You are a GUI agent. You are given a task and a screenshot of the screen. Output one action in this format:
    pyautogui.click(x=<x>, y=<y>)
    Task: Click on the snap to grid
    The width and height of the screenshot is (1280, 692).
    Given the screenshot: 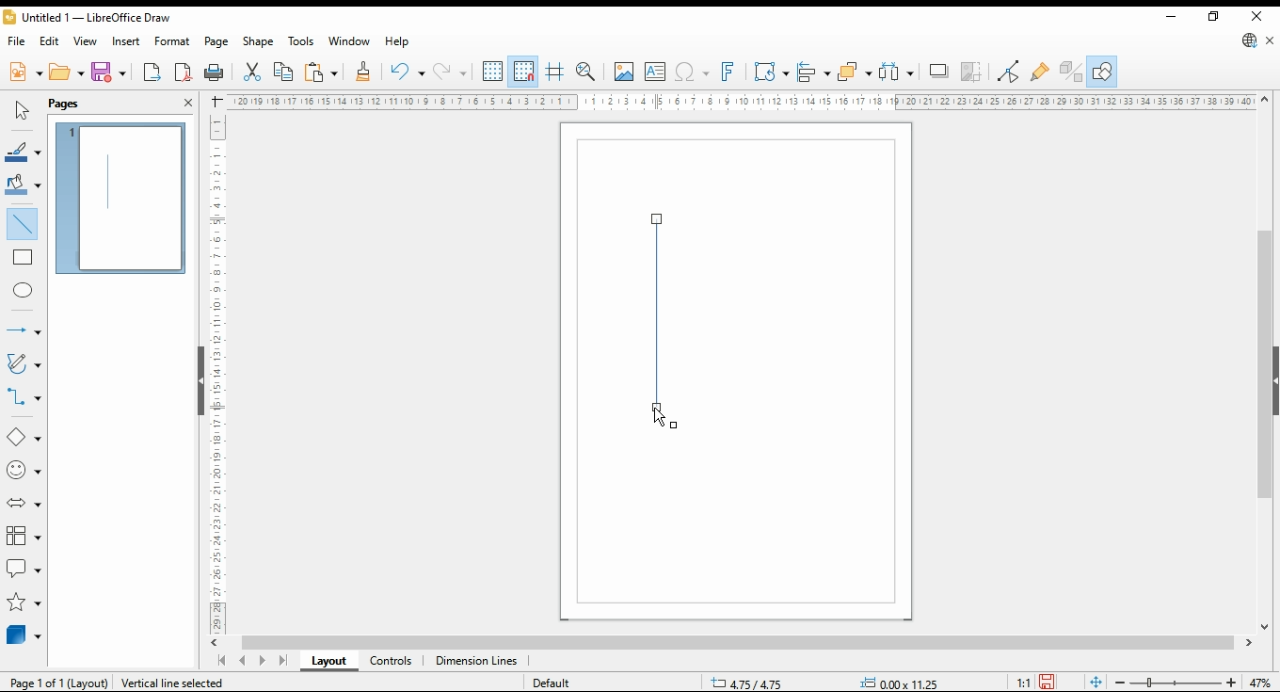 What is the action you would take?
    pyautogui.click(x=523, y=72)
    